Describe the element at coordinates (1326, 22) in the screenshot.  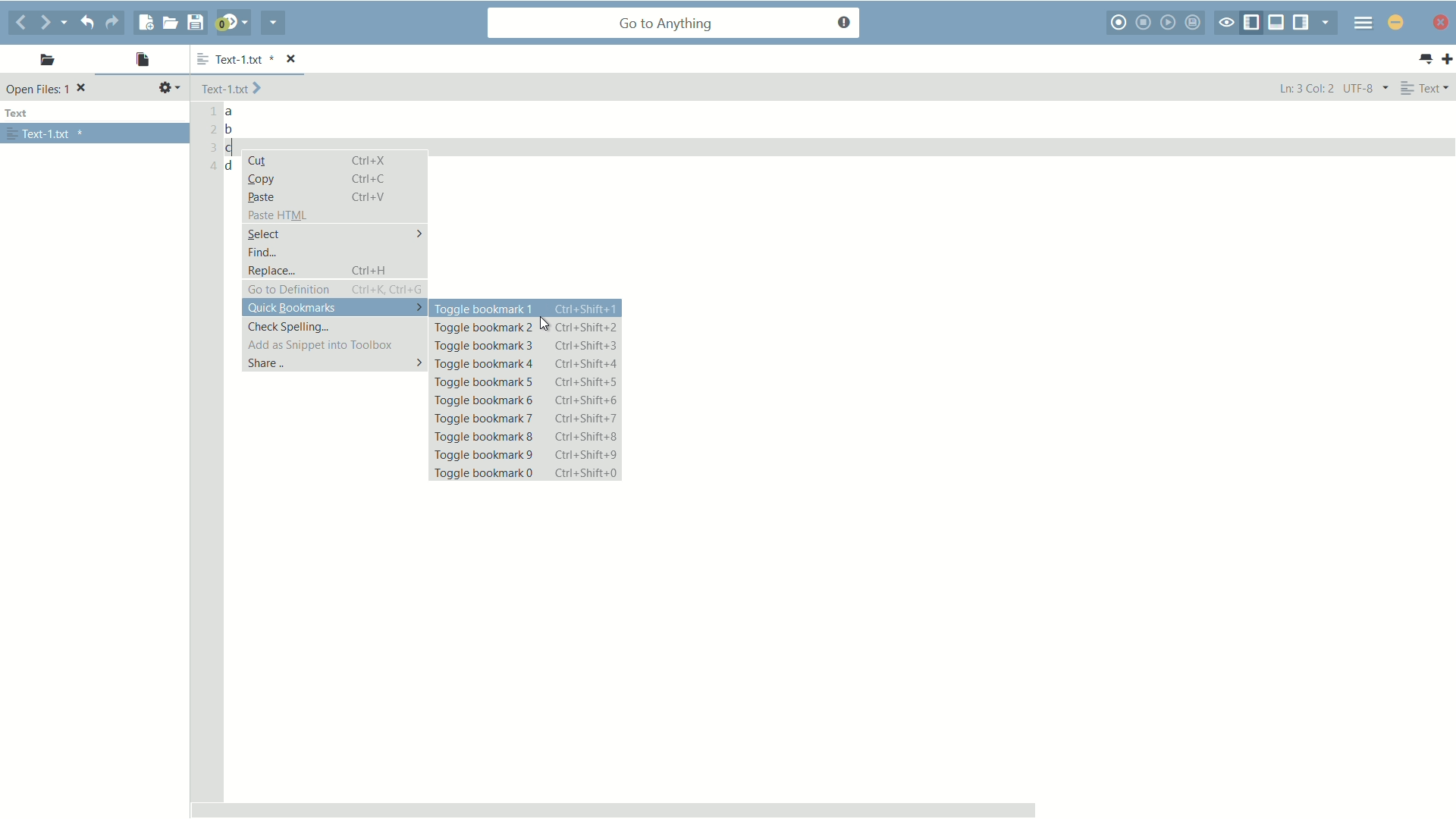
I see `show specific tab` at that location.